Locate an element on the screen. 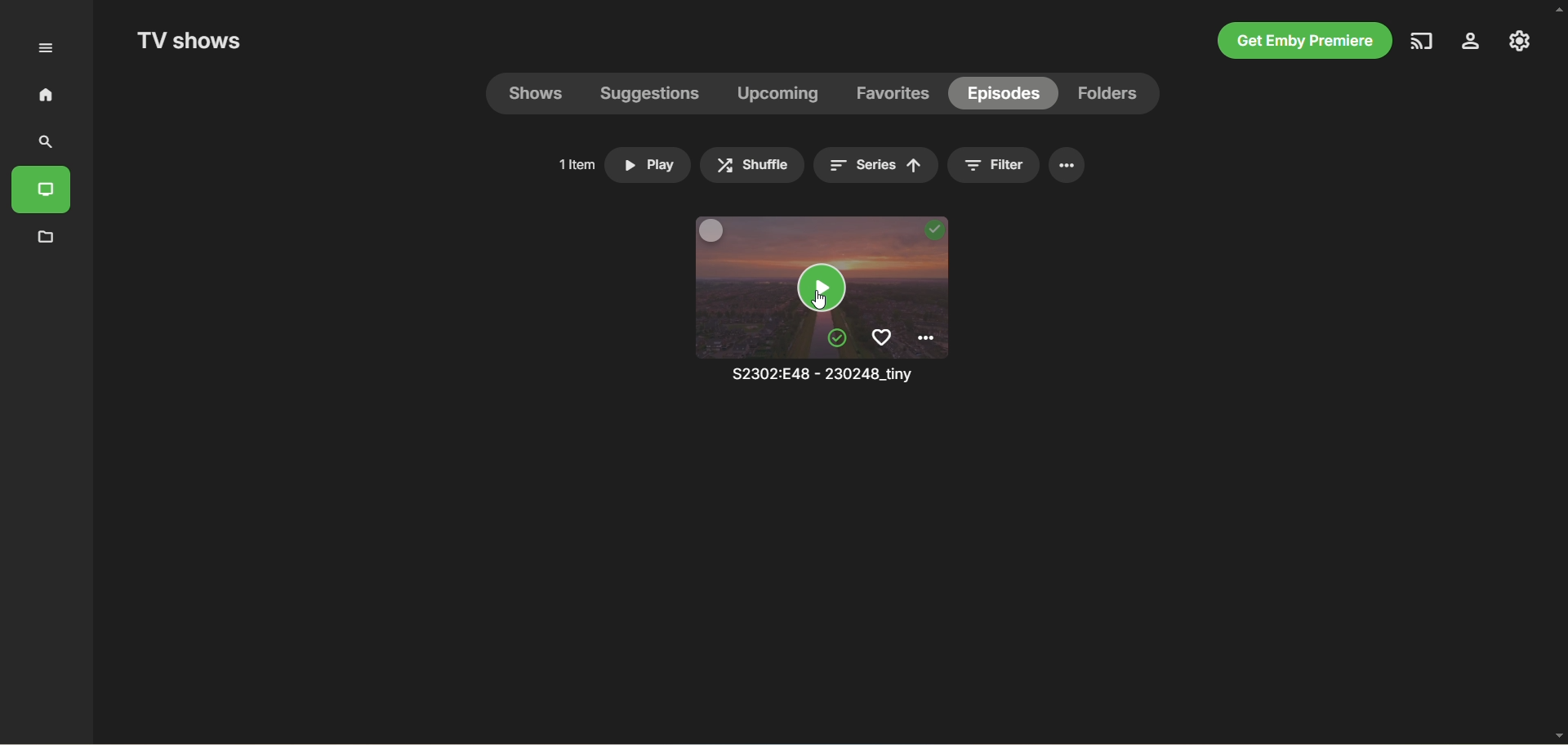 The height and width of the screenshot is (745, 1568). settings is located at coordinates (1067, 165).